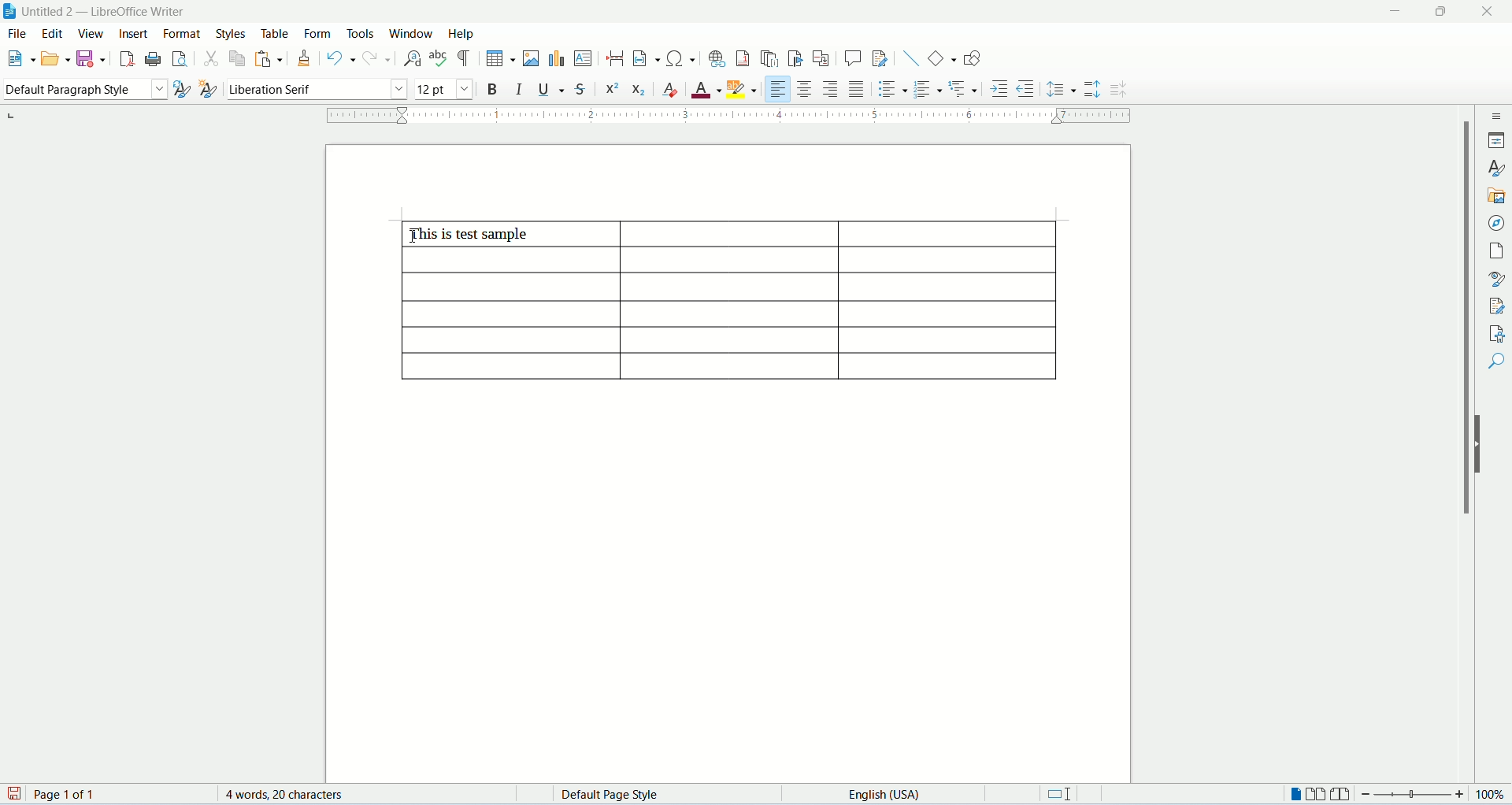  Describe the element at coordinates (365, 33) in the screenshot. I see `tools` at that location.